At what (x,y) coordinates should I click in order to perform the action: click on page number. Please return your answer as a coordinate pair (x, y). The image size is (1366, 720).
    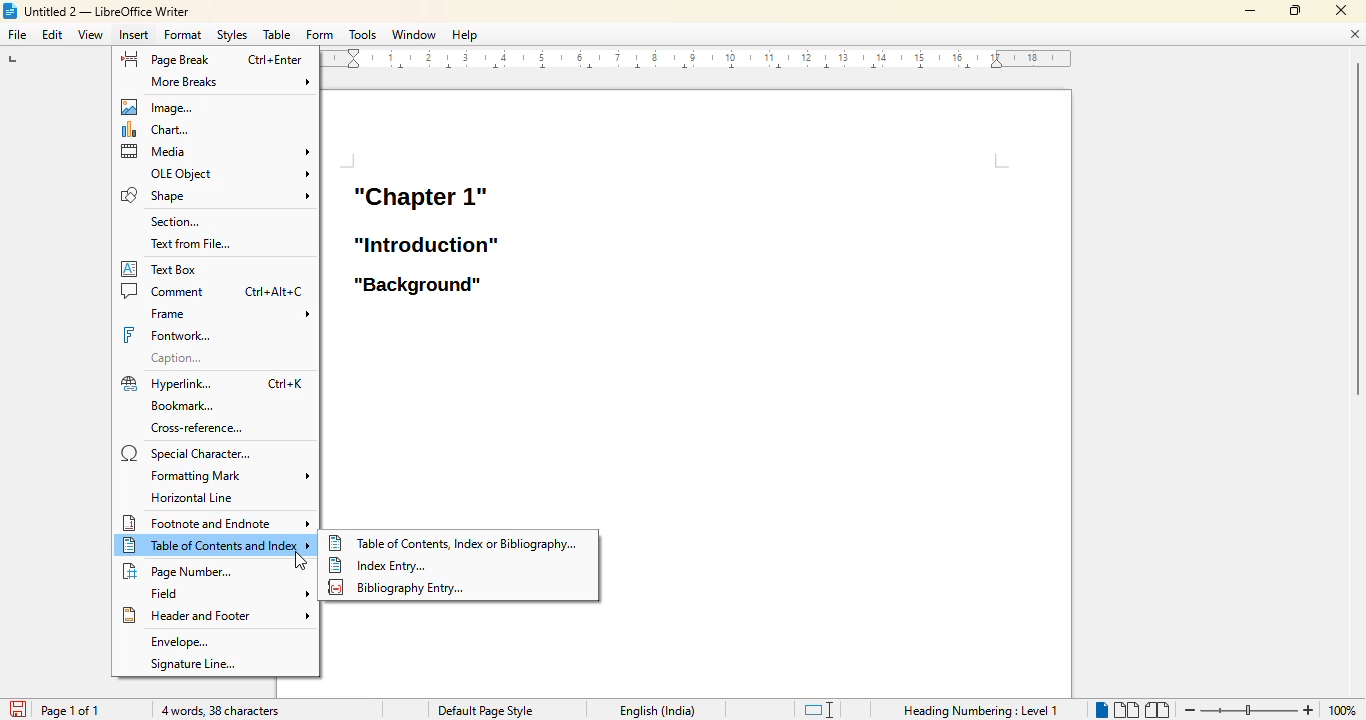
    Looking at the image, I should click on (179, 570).